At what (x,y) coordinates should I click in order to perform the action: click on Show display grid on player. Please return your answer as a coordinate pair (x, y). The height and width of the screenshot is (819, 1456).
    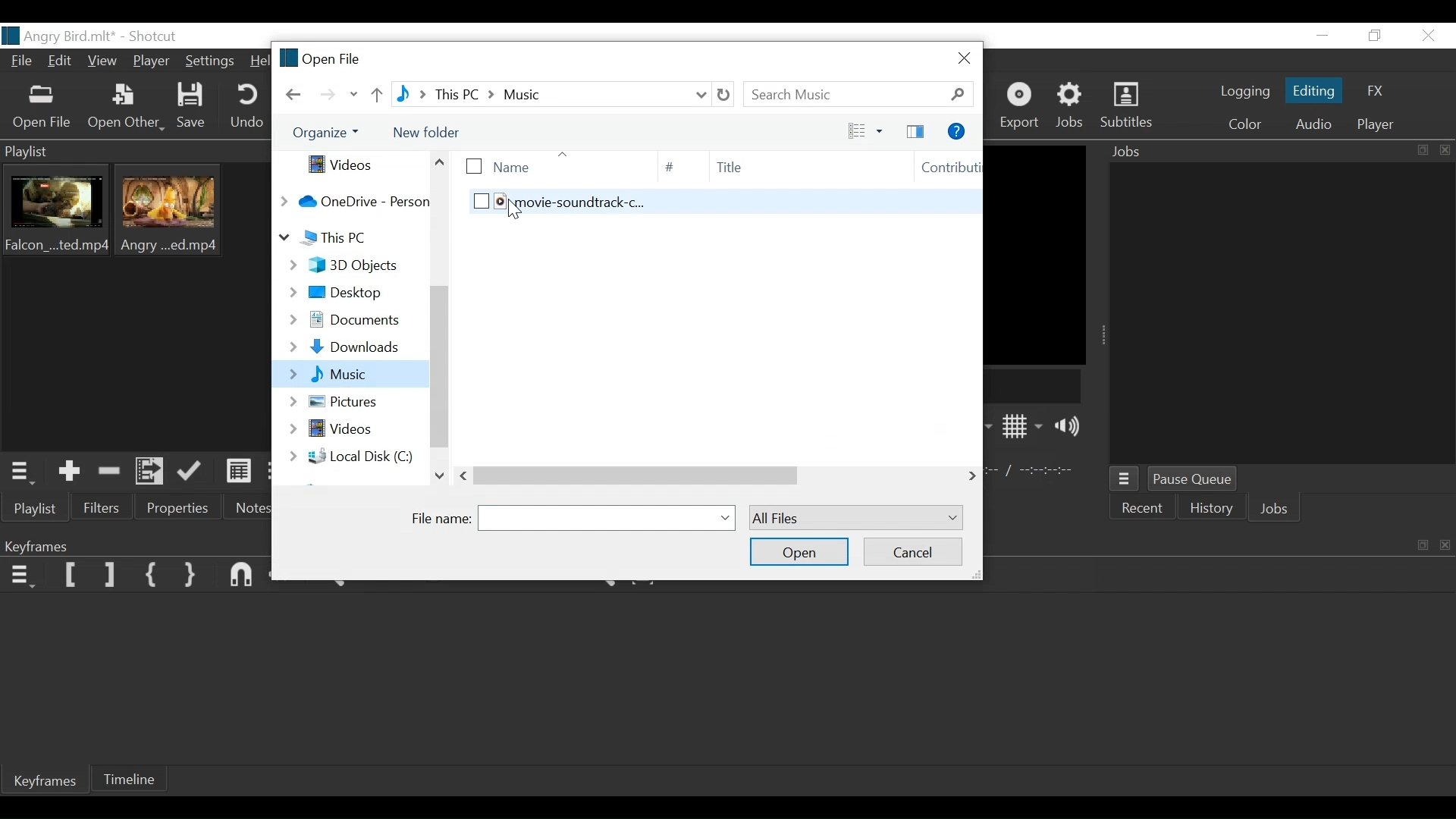
    Looking at the image, I should click on (1023, 425).